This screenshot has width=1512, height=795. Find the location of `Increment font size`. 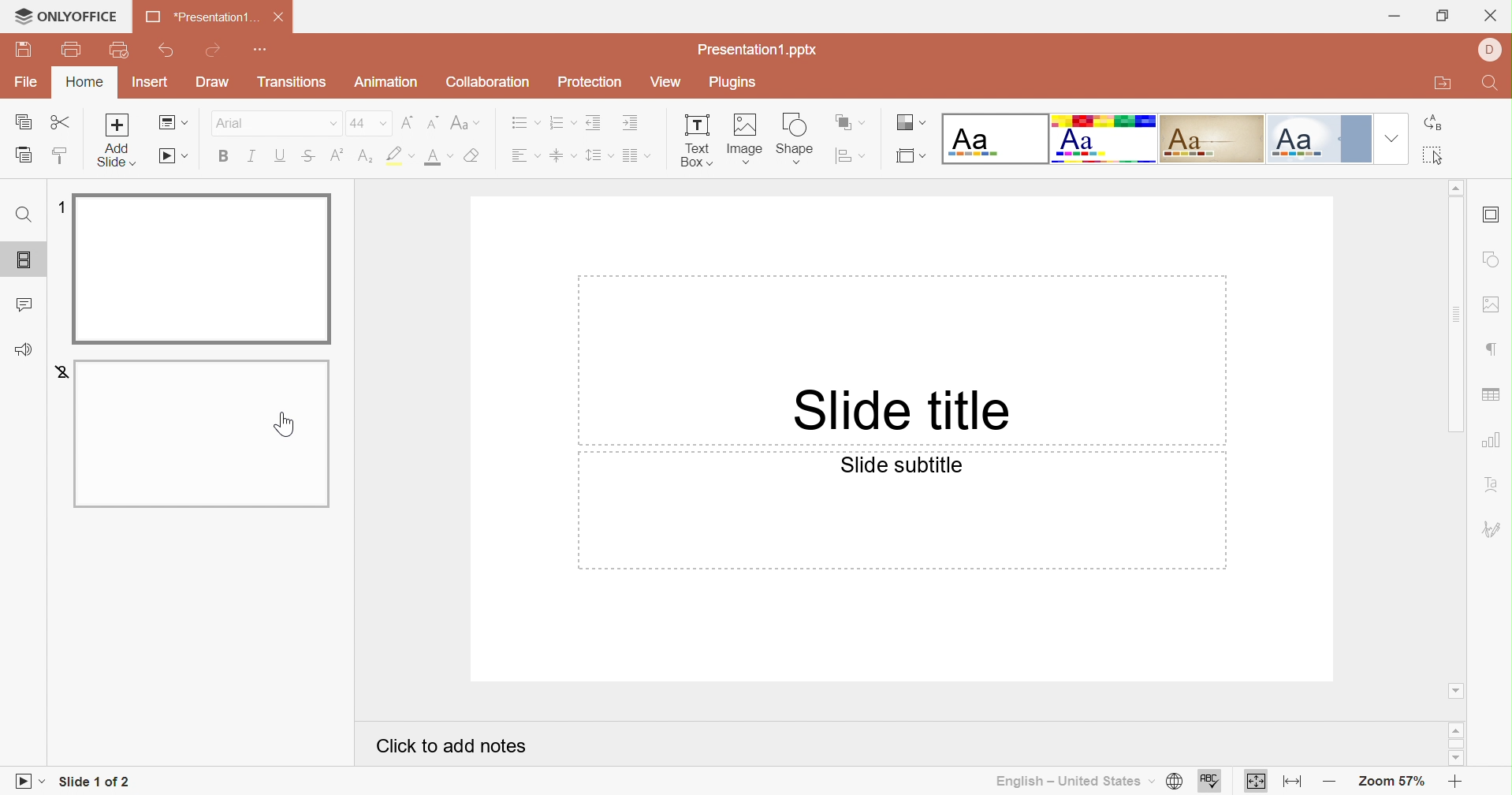

Increment font size is located at coordinates (408, 122).